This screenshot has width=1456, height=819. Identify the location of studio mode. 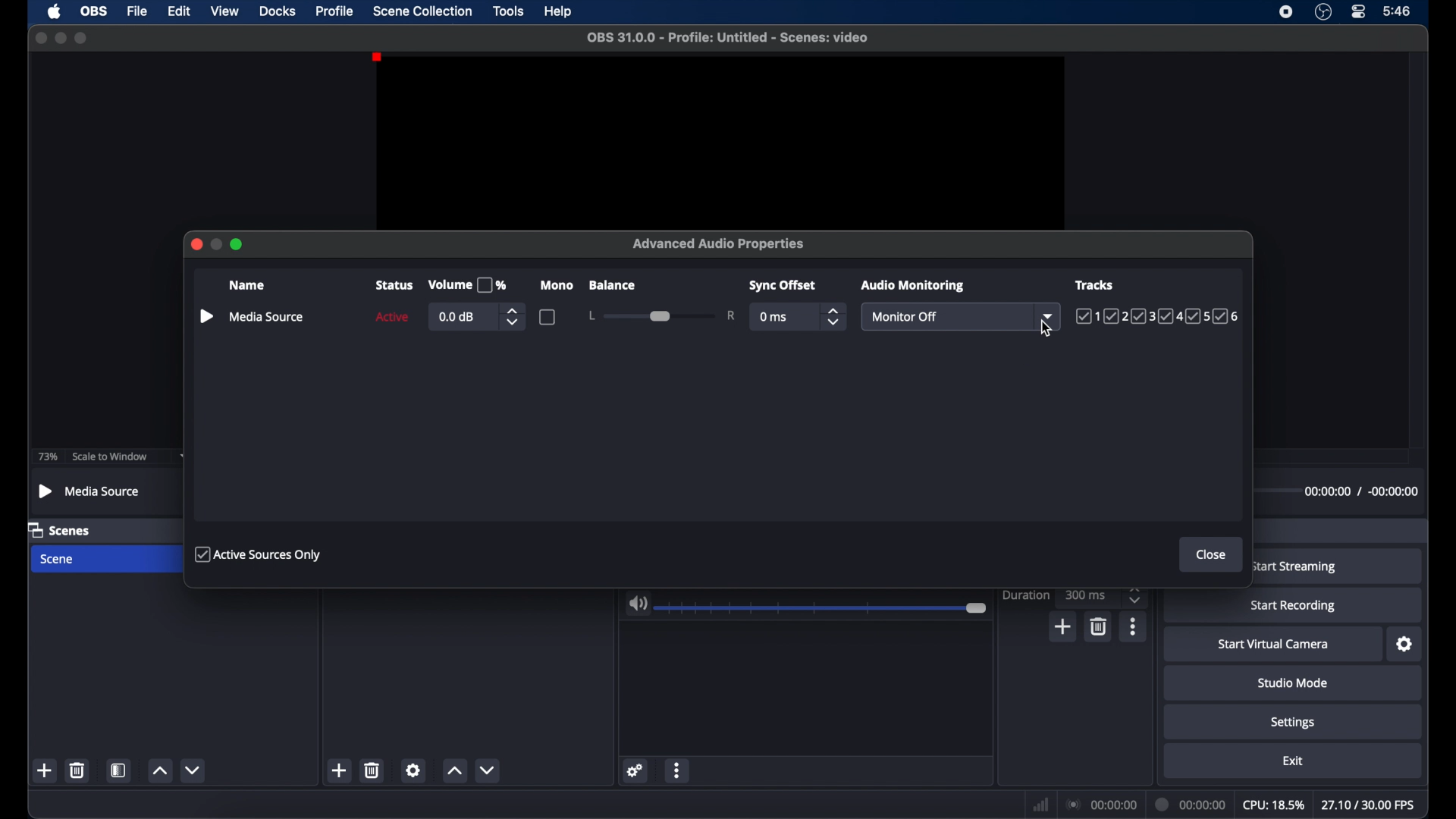
(1292, 682).